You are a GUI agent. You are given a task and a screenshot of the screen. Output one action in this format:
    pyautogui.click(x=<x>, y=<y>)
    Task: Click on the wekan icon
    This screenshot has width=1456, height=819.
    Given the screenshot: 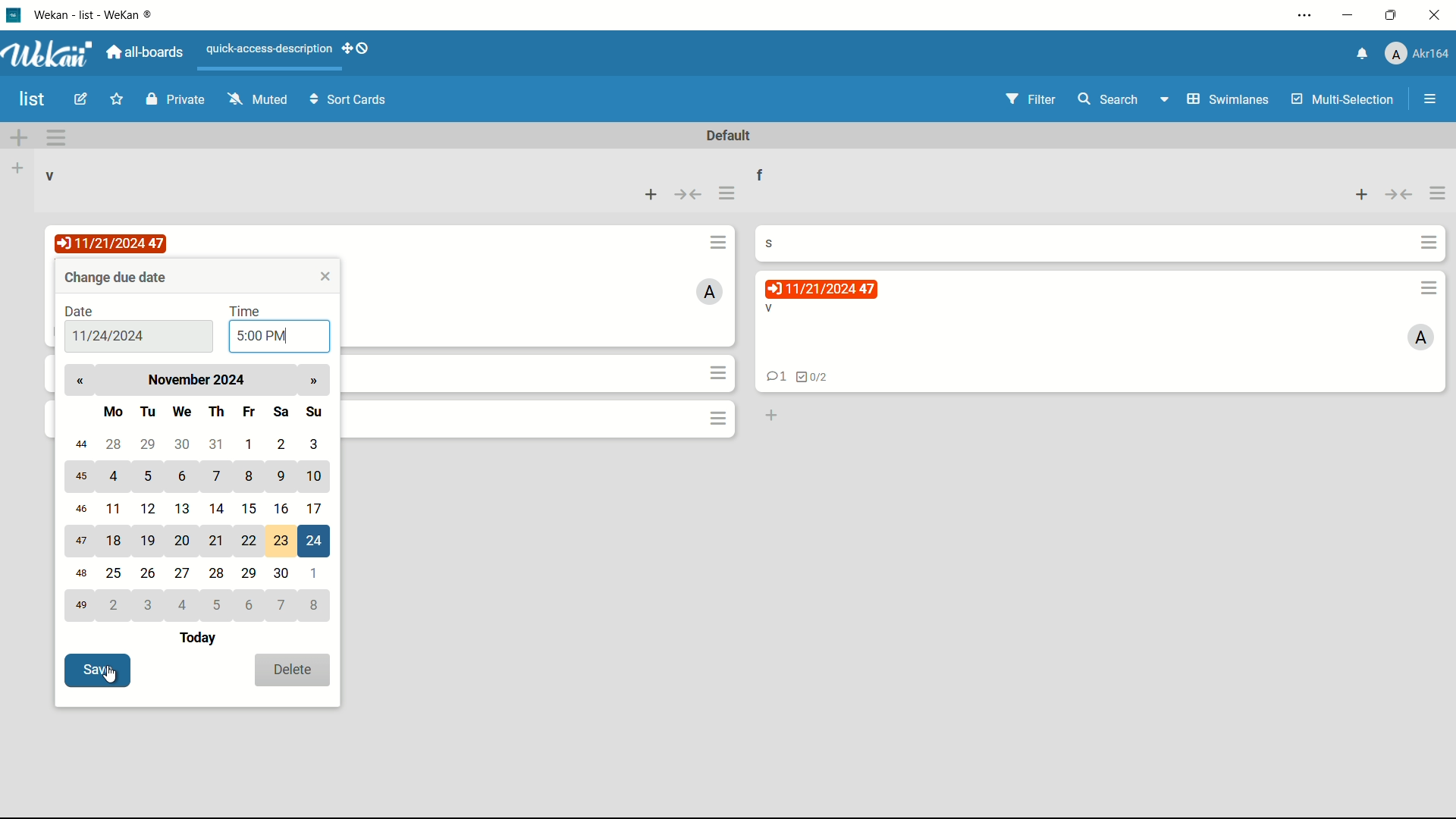 What is the action you would take?
    pyautogui.click(x=19, y=14)
    